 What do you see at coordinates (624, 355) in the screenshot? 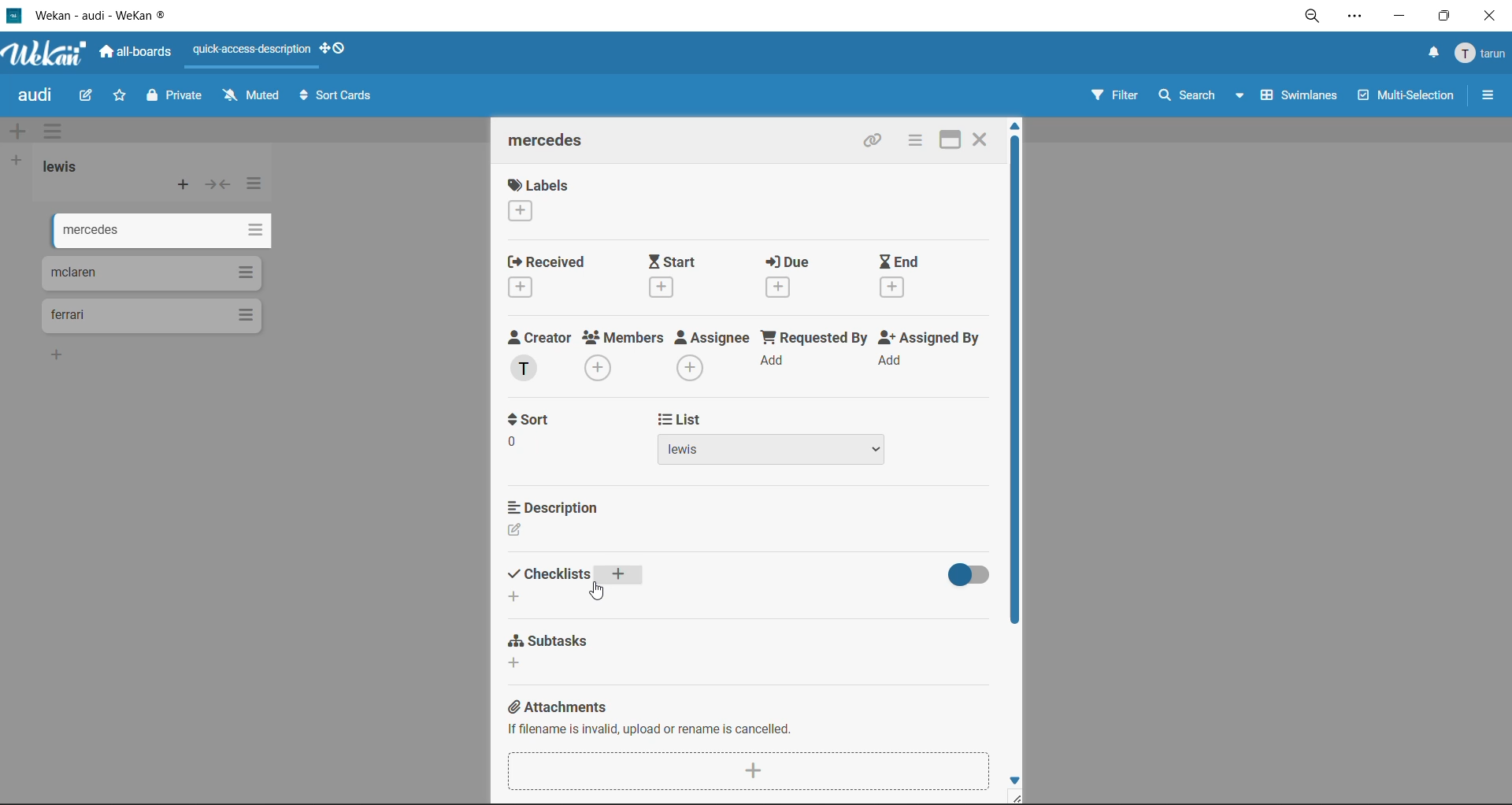
I see `members` at bounding box center [624, 355].